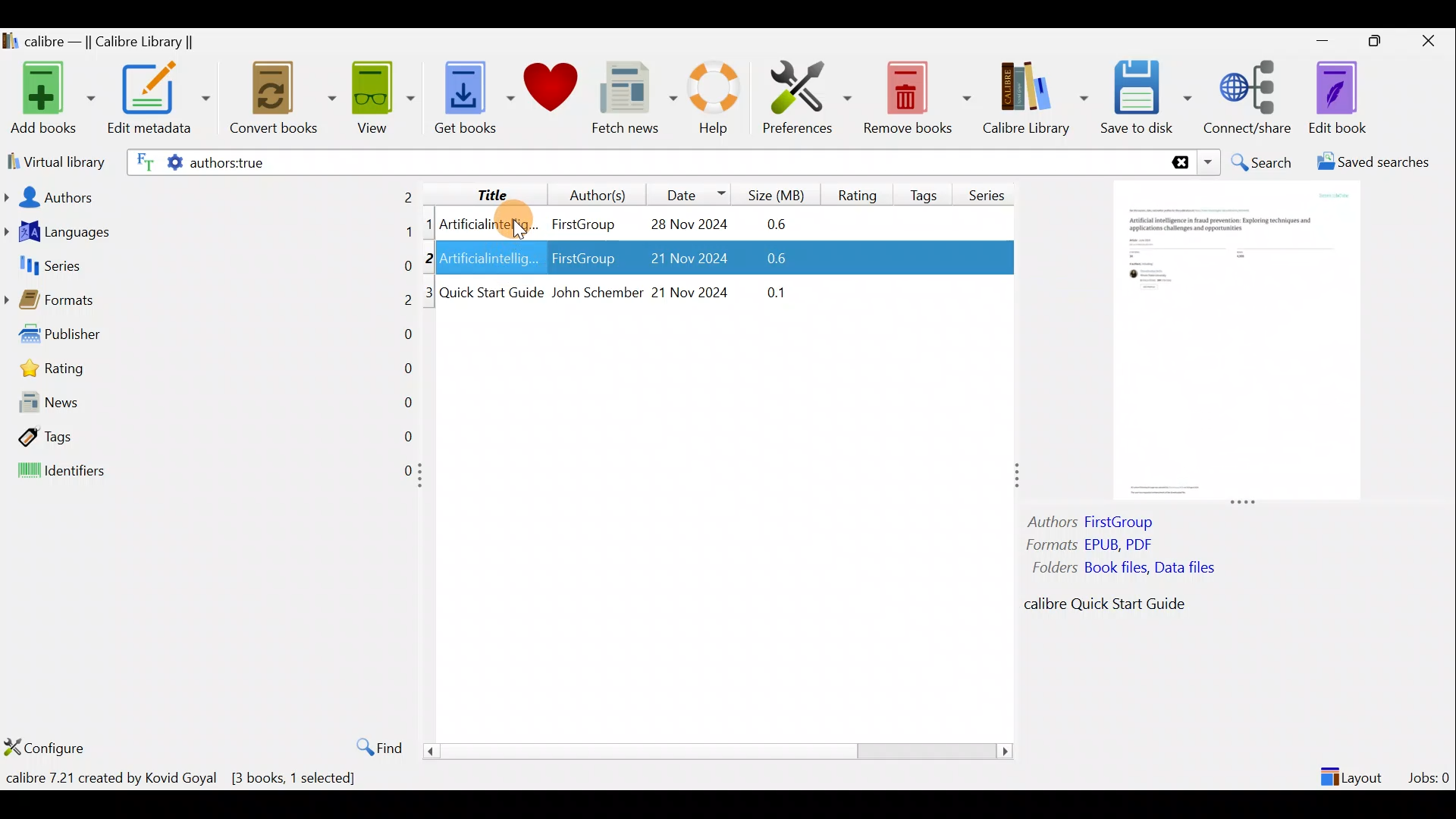 The image size is (1456, 819). I want to click on FirstGroup, so click(582, 221).